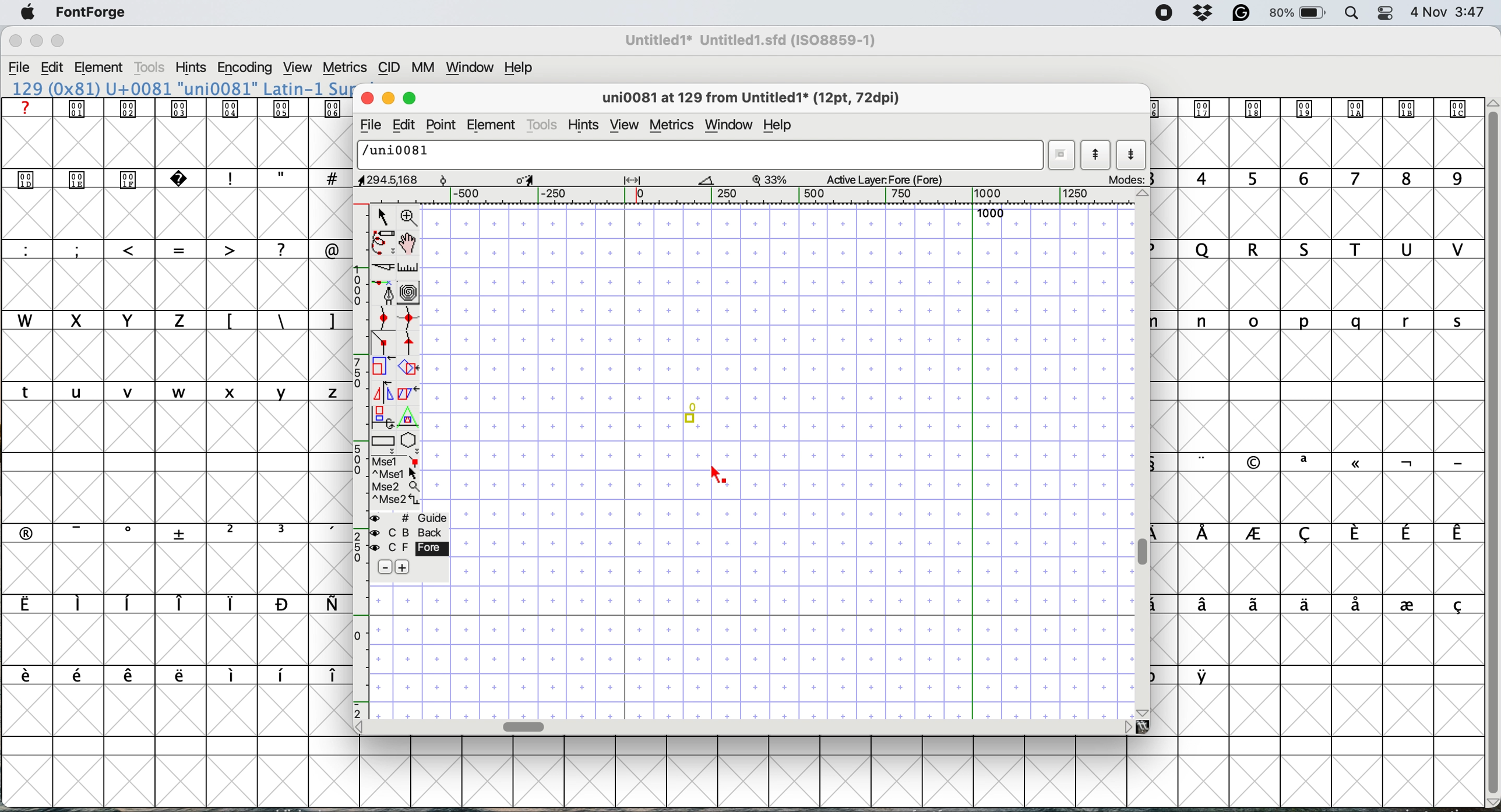 Image resolution: width=1501 pixels, height=812 pixels. Describe the element at coordinates (383, 369) in the screenshot. I see `scale the selection` at that location.